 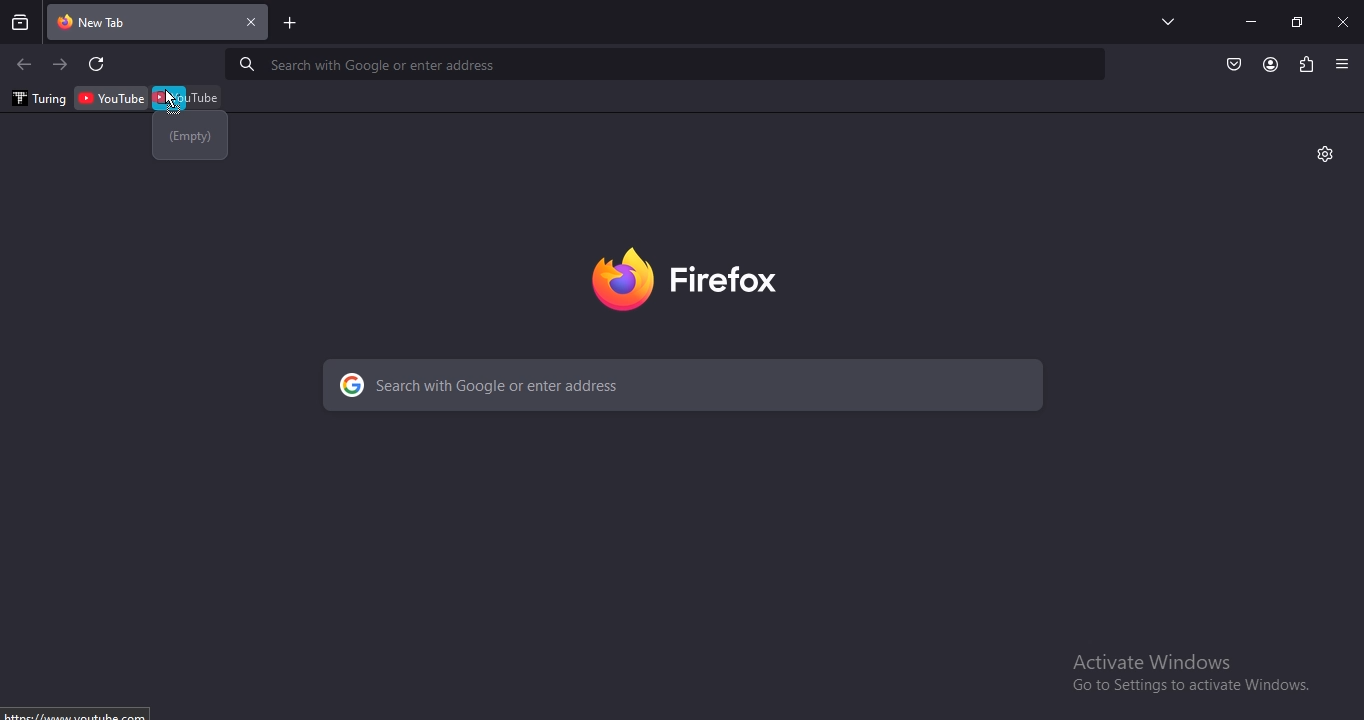 What do you see at coordinates (1299, 22) in the screenshot?
I see `restore windows` at bounding box center [1299, 22].